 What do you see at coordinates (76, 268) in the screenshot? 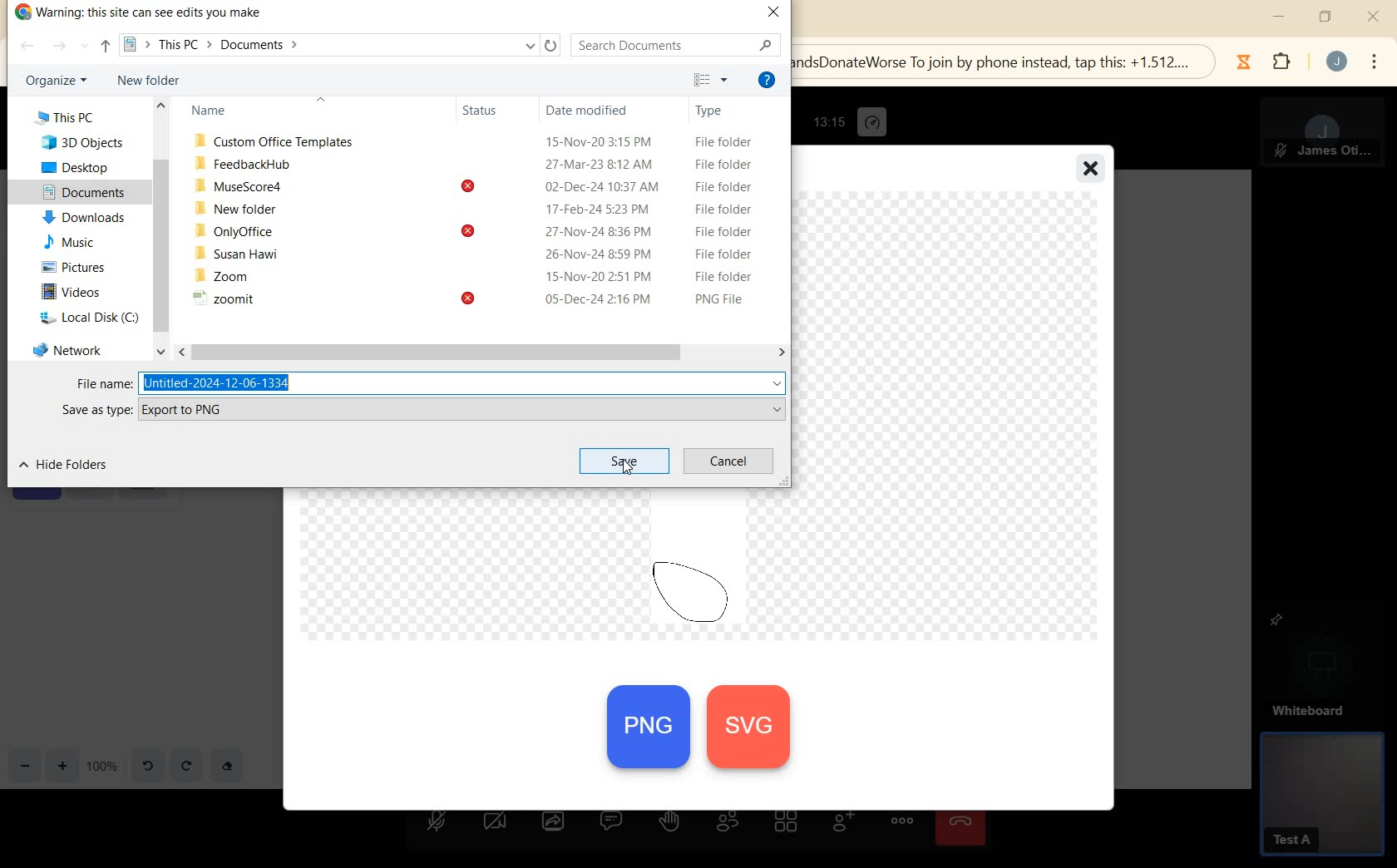
I see `pictures` at bounding box center [76, 268].